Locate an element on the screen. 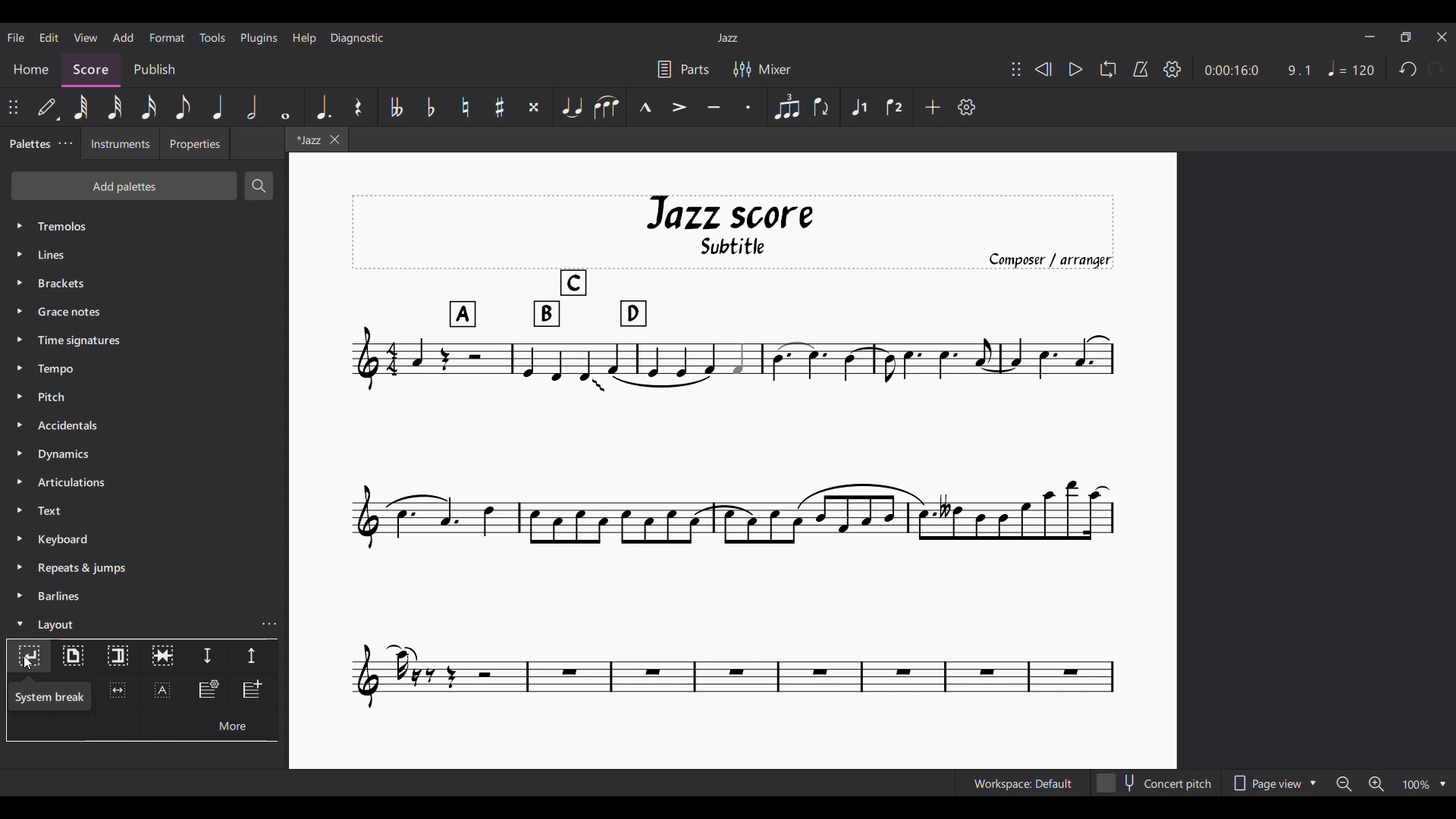 This screenshot has width=1456, height=819. Slur is located at coordinates (606, 107).